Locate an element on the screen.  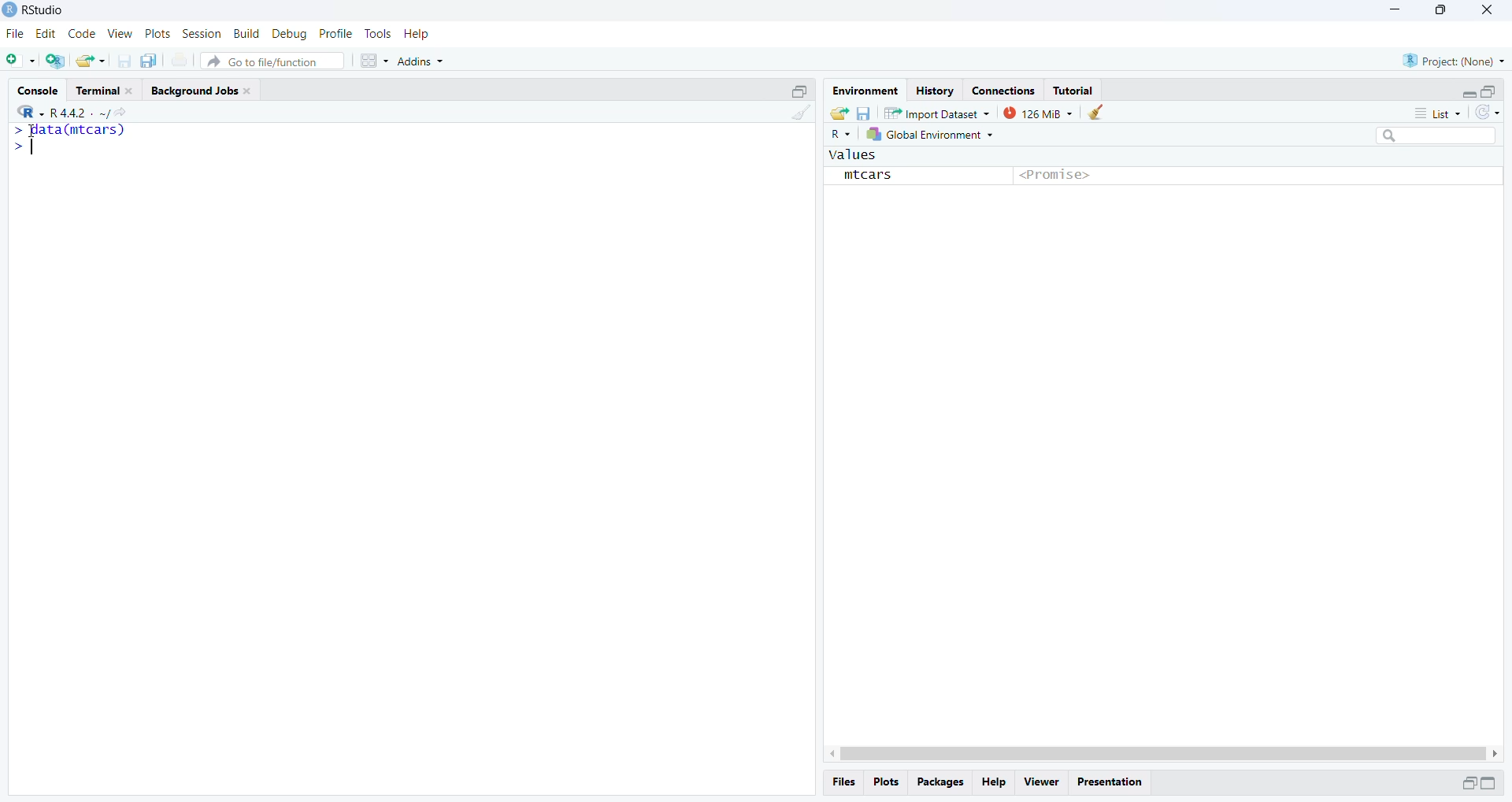
open existing file is located at coordinates (91, 61).